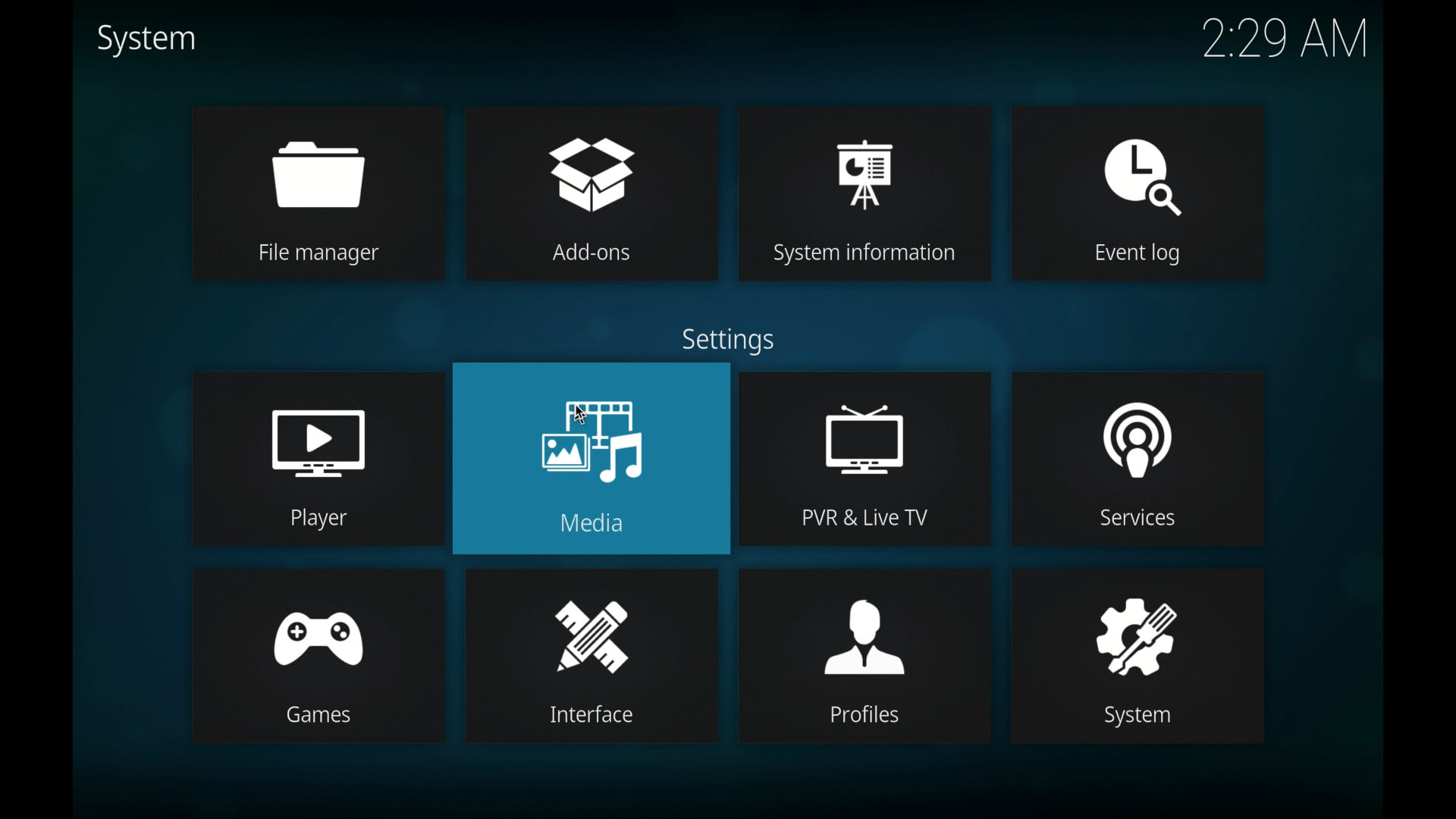  Describe the element at coordinates (592, 255) in the screenshot. I see `Add-ons` at that location.